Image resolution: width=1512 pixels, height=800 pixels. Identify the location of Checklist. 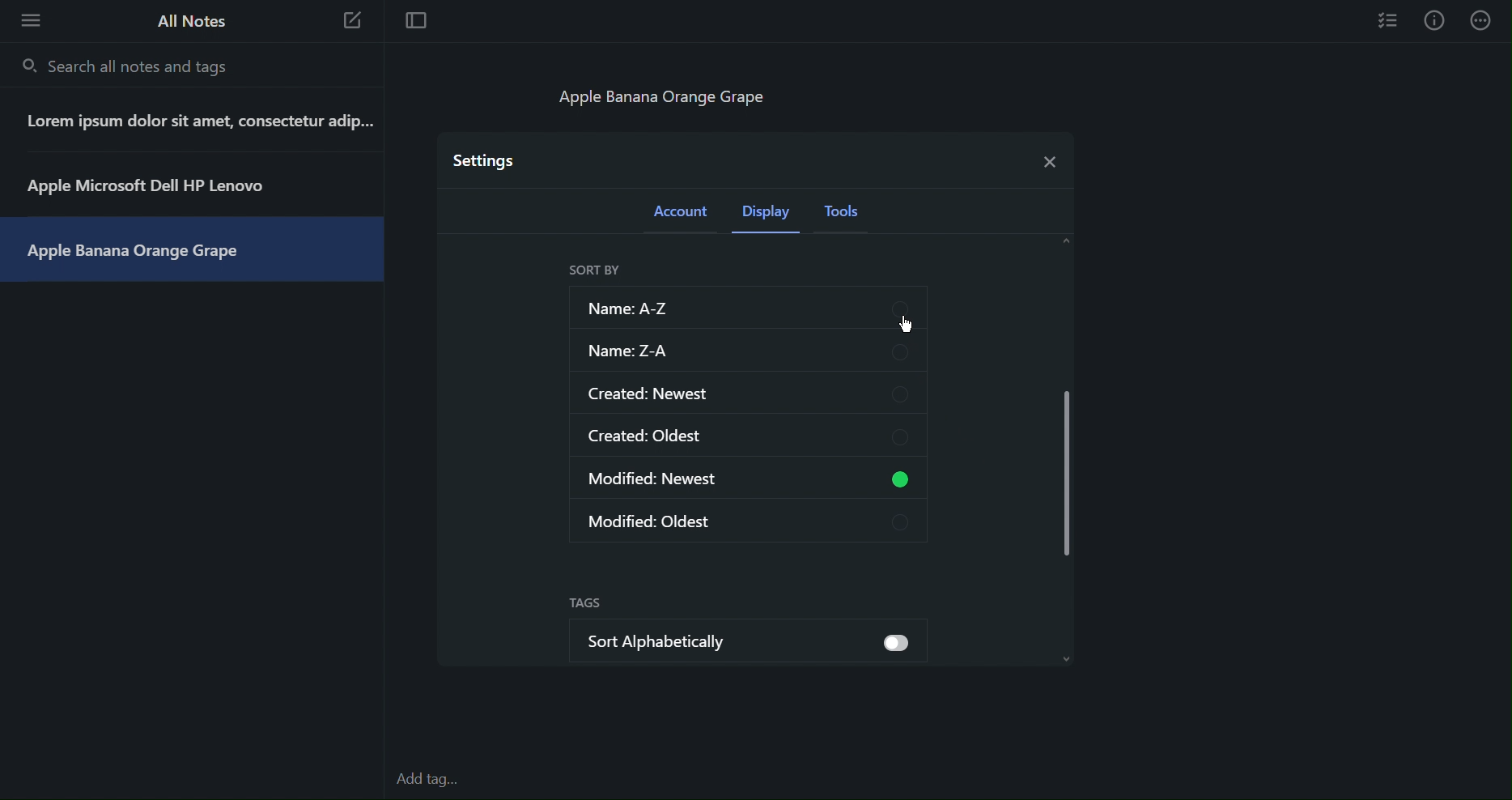
(1389, 19).